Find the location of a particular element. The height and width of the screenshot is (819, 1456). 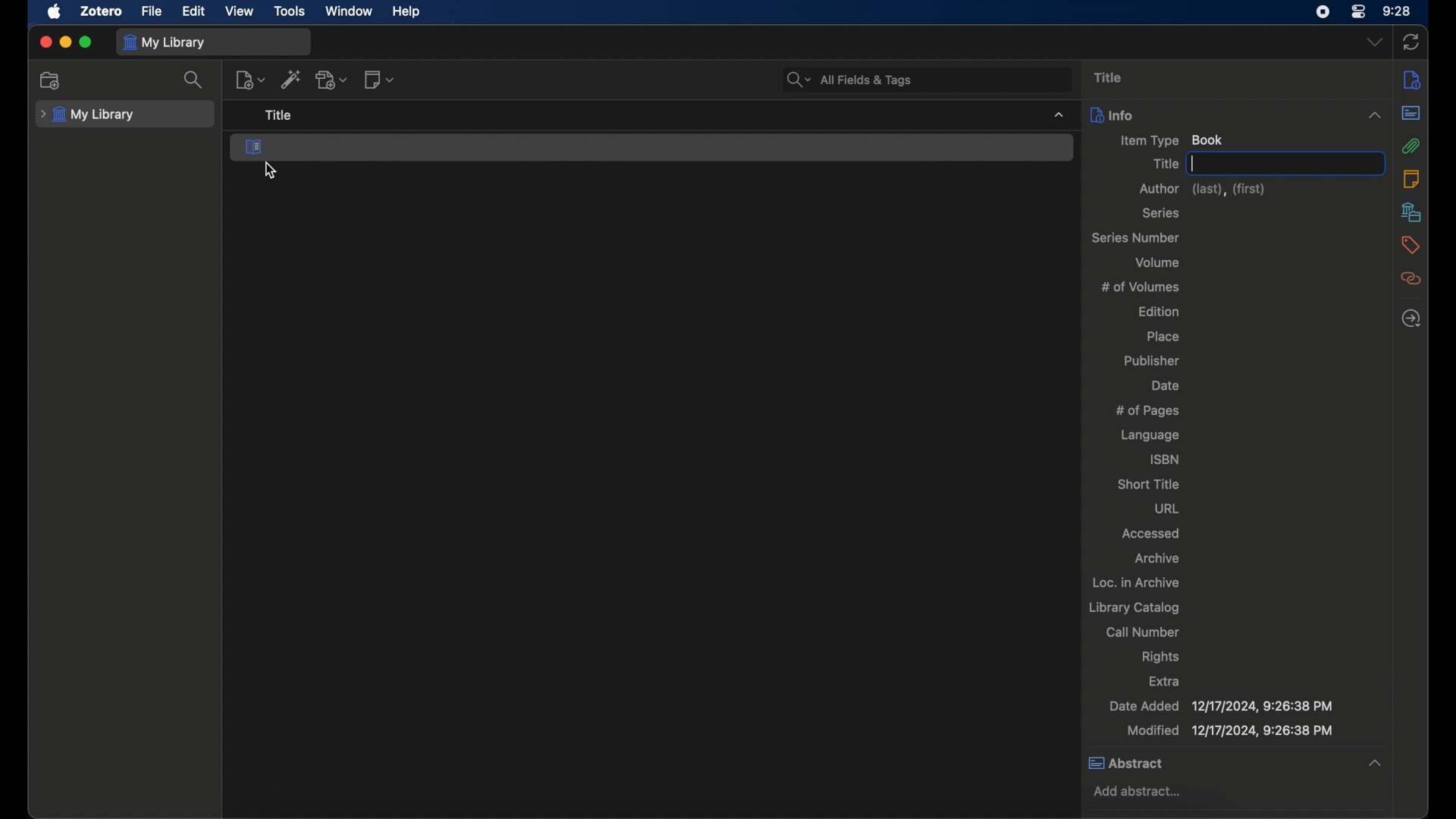

tools is located at coordinates (290, 11).